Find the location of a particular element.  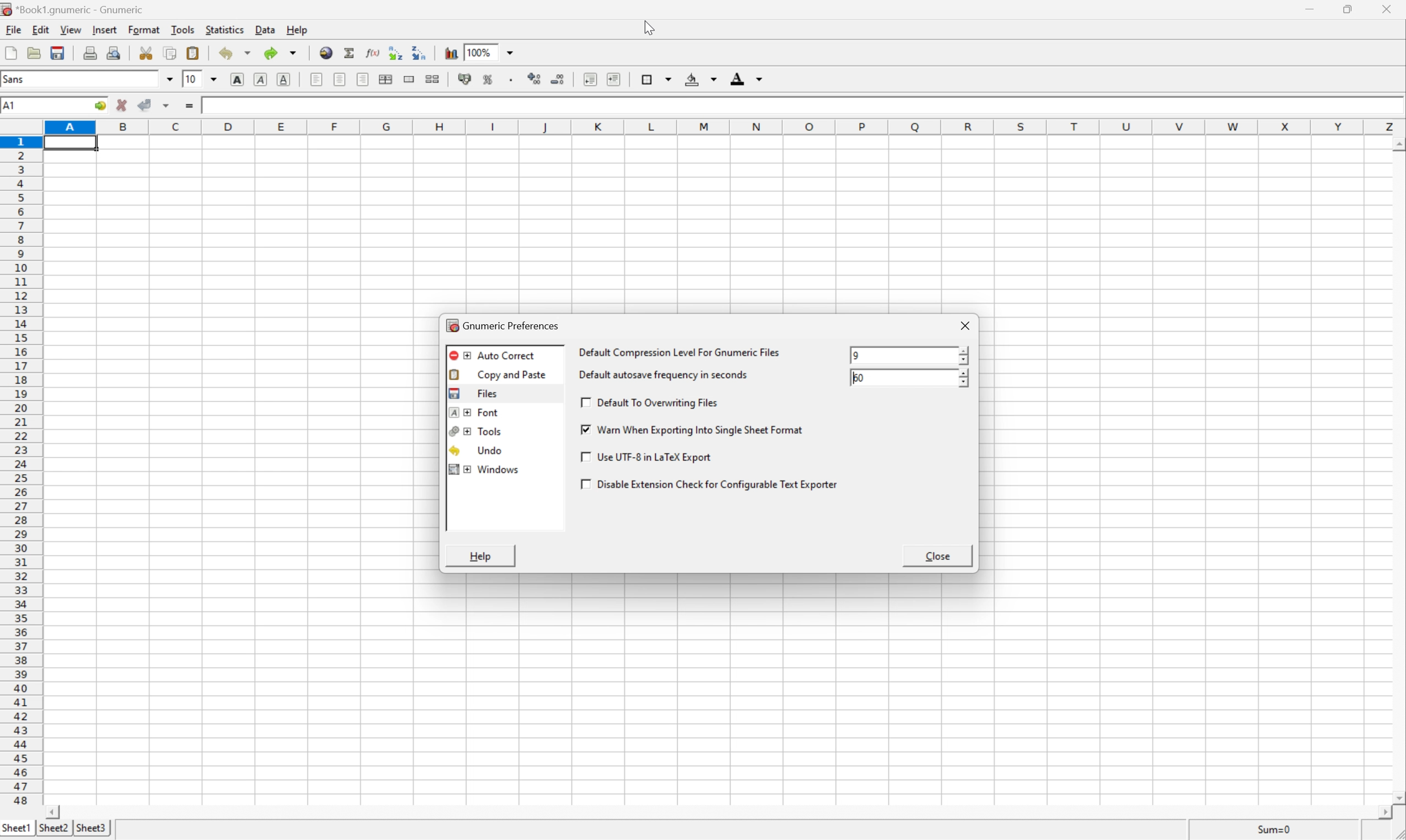

insert hyperlink is located at coordinates (325, 53).